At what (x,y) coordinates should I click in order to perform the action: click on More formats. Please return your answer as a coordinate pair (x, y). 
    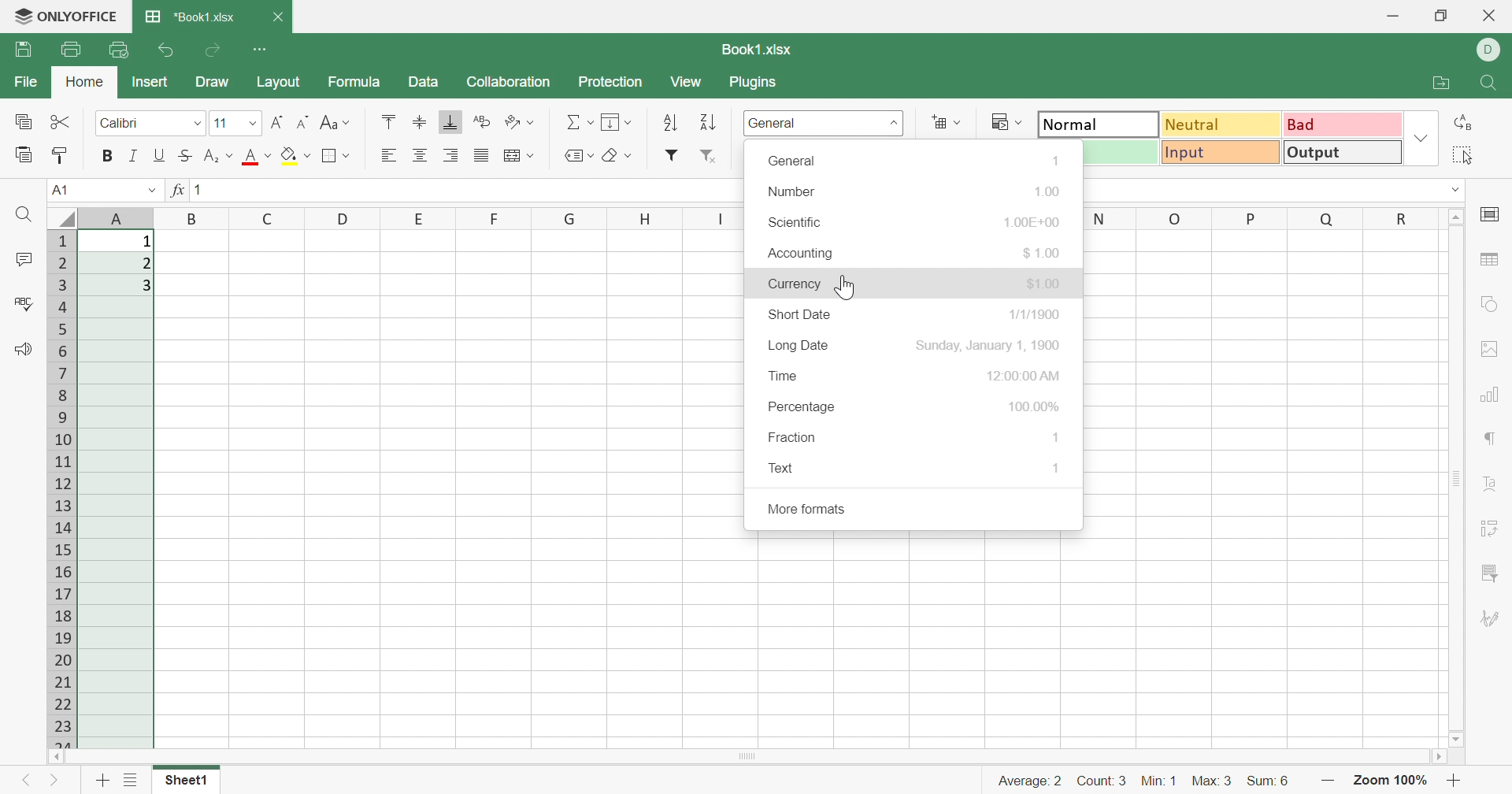
    Looking at the image, I should click on (806, 510).